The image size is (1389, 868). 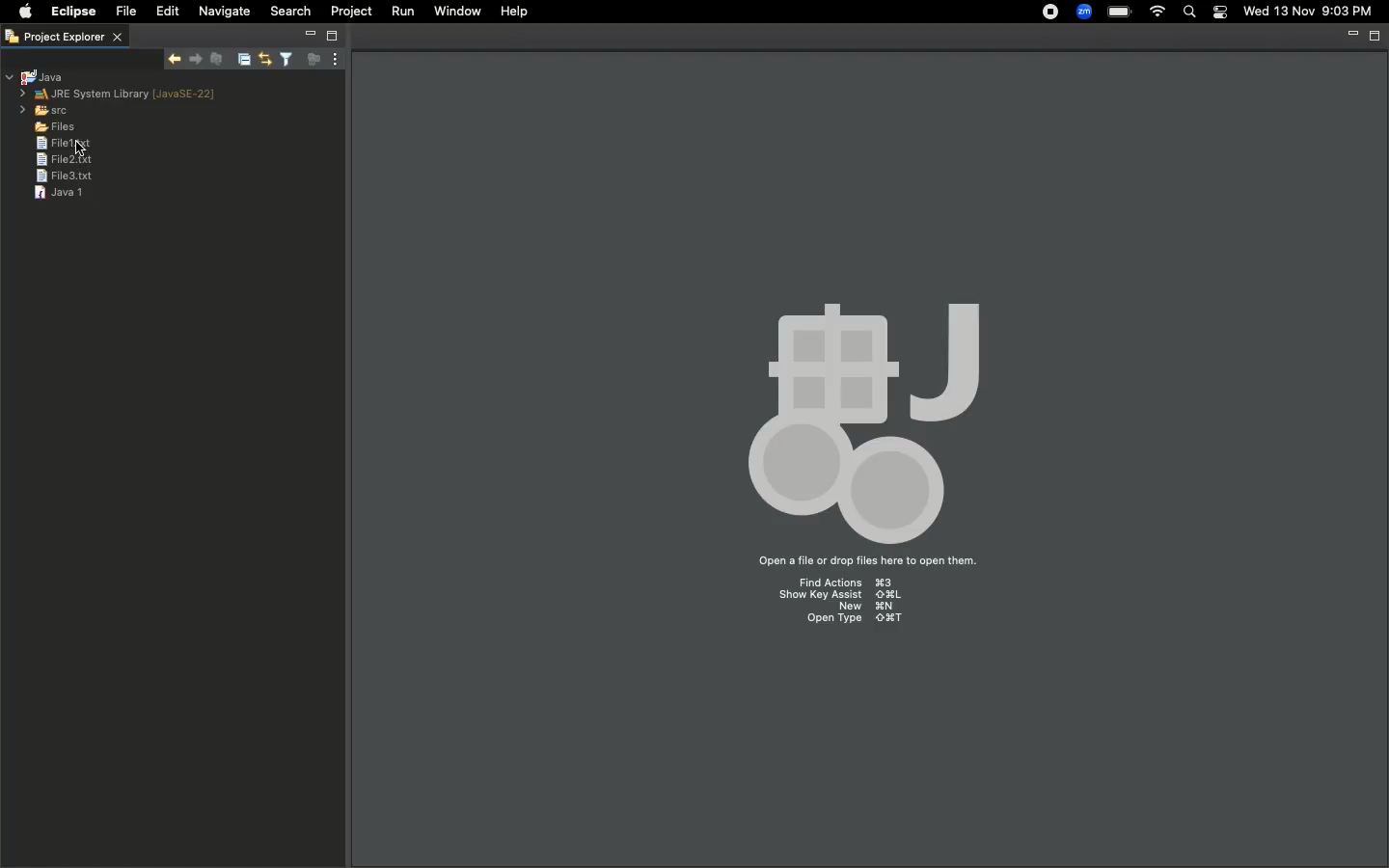 What do you see at coordinates (60, 176) in the screenshot?
I see `File 3.text` at bounding box center [60, 176].